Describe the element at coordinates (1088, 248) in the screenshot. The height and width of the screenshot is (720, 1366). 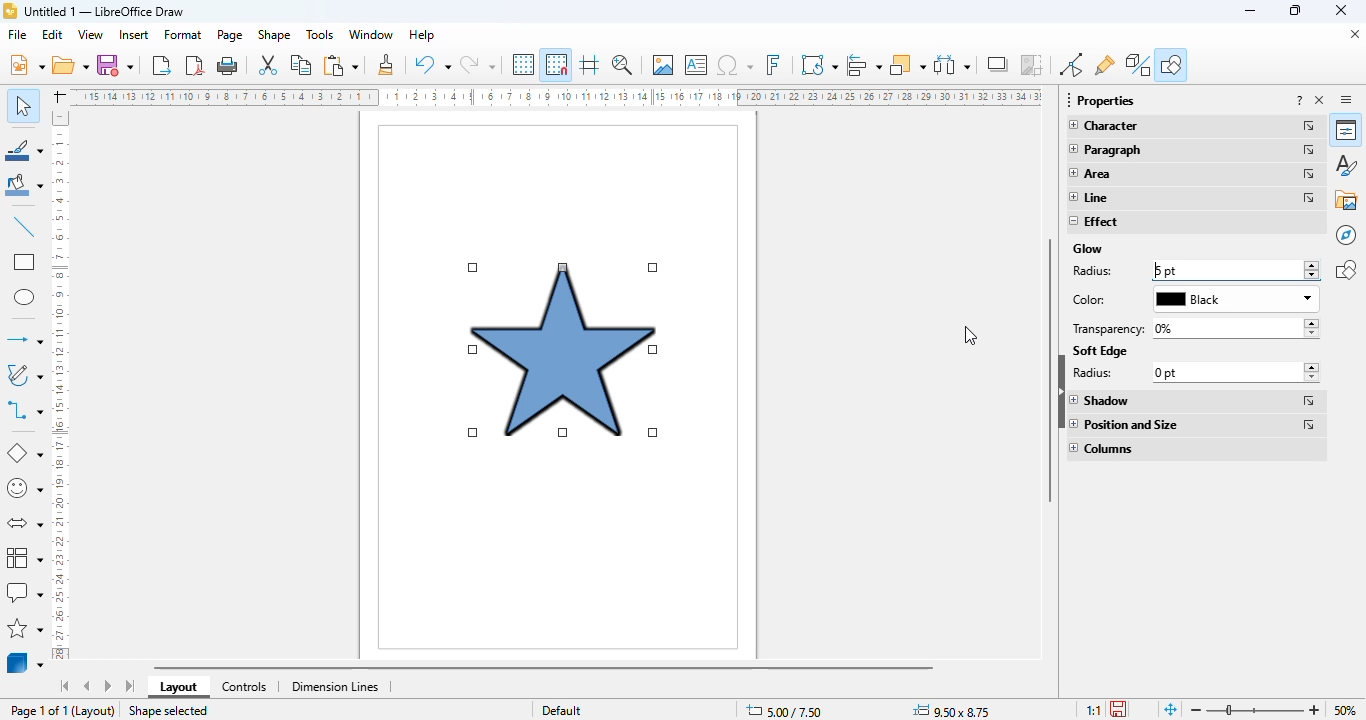
I see `glow` at that location.